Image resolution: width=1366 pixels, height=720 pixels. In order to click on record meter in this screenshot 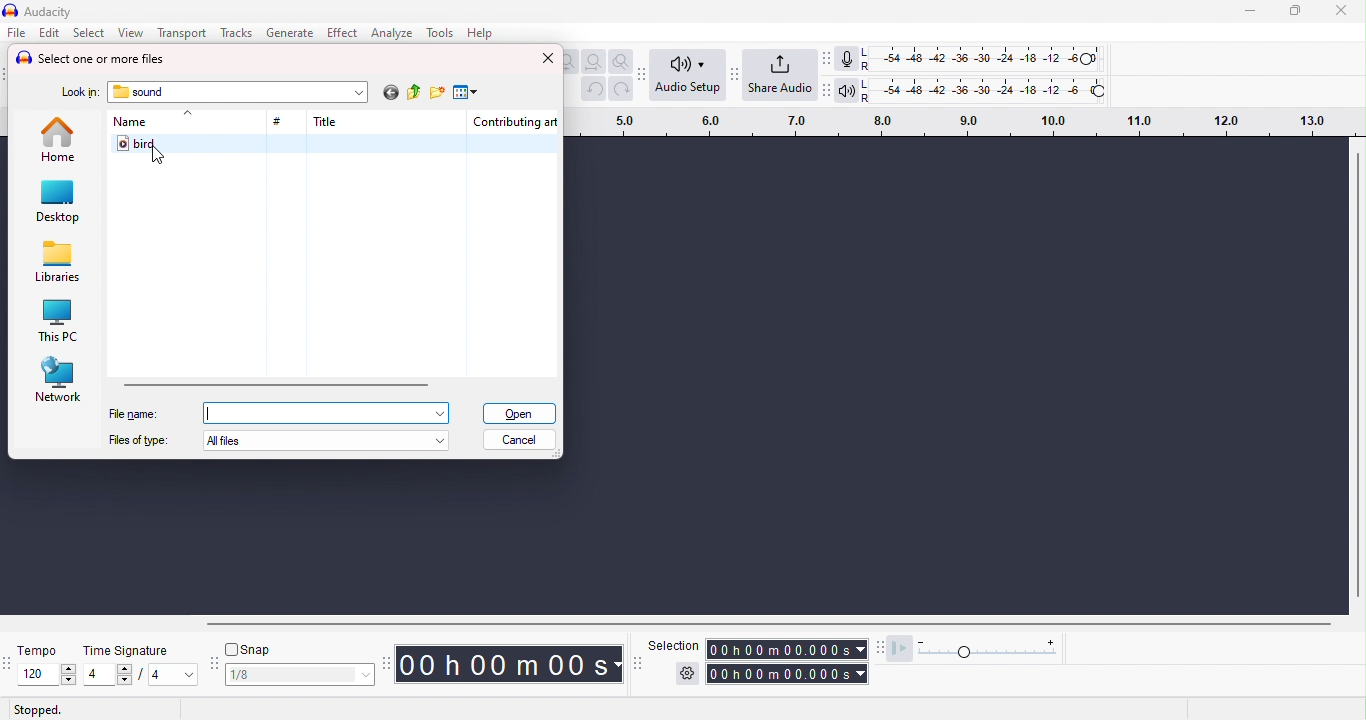, I will do `click(849, 59)`.